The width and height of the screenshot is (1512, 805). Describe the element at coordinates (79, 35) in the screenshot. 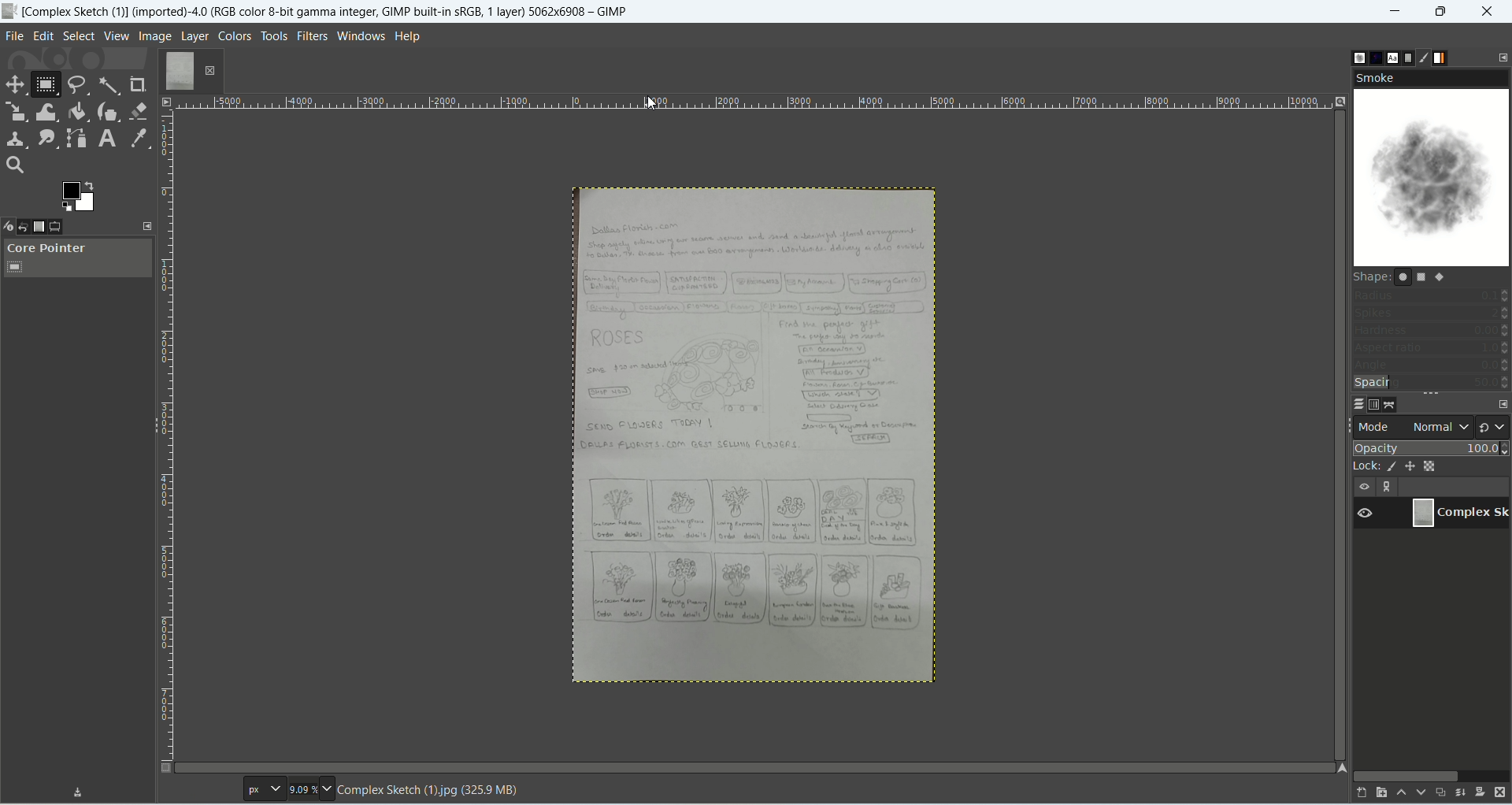

I see `select` at that location.